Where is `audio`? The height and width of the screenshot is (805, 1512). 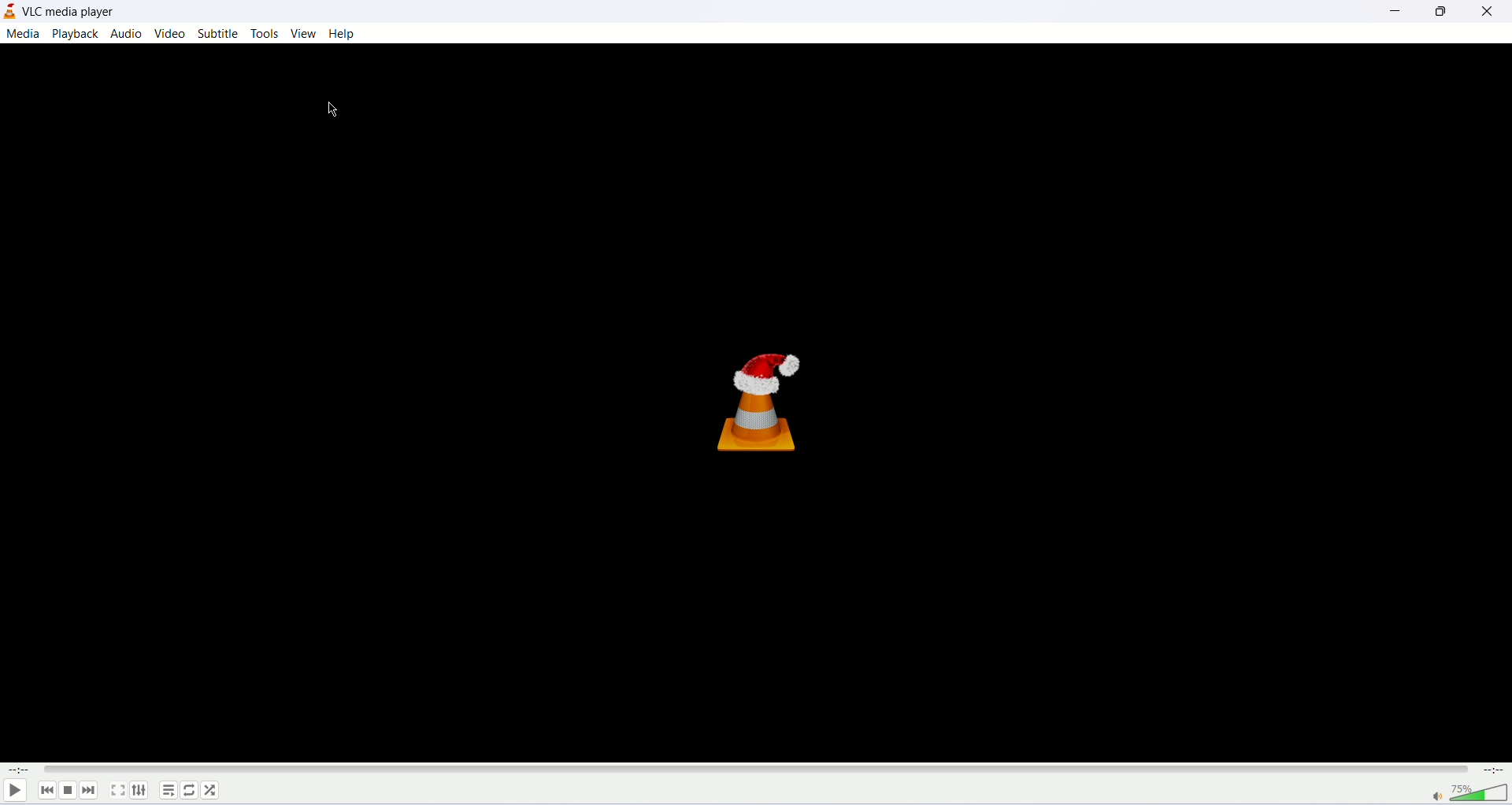 audio is located at coordinates (128, 32).